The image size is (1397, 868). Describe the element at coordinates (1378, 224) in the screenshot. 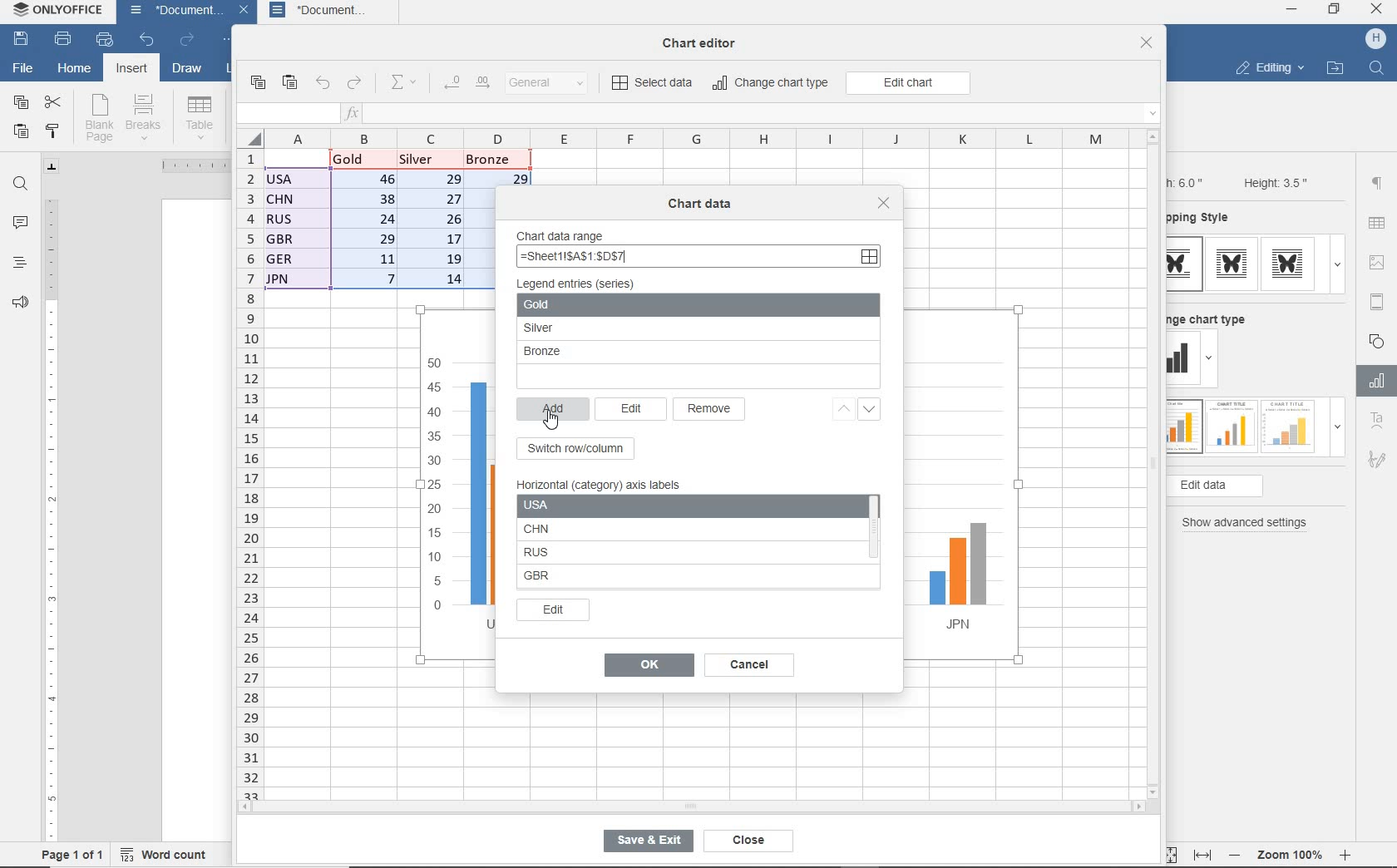

I see `table` at that location.